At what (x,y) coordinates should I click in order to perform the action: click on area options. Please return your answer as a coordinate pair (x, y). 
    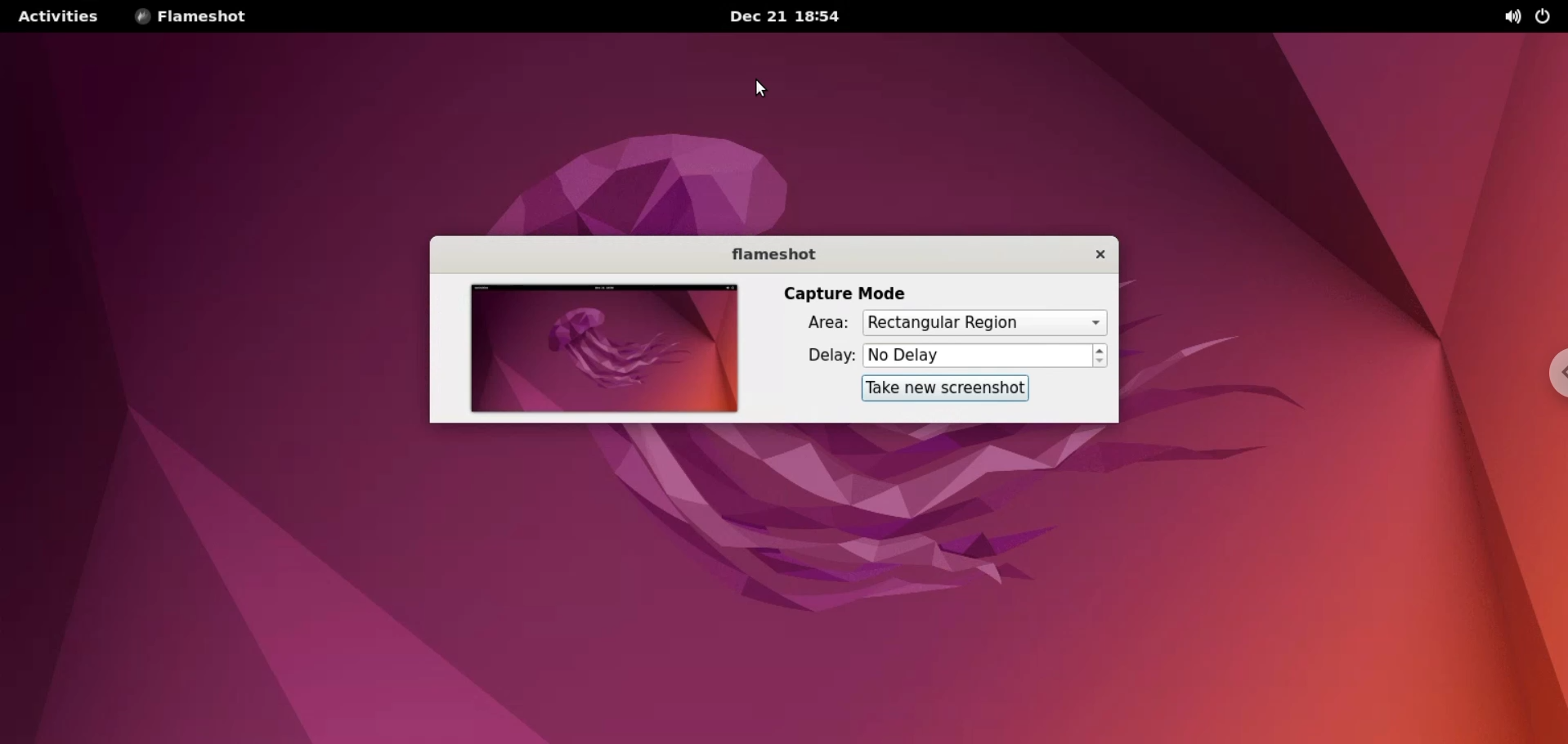
    Looking at the image, I should click on (984, 324).